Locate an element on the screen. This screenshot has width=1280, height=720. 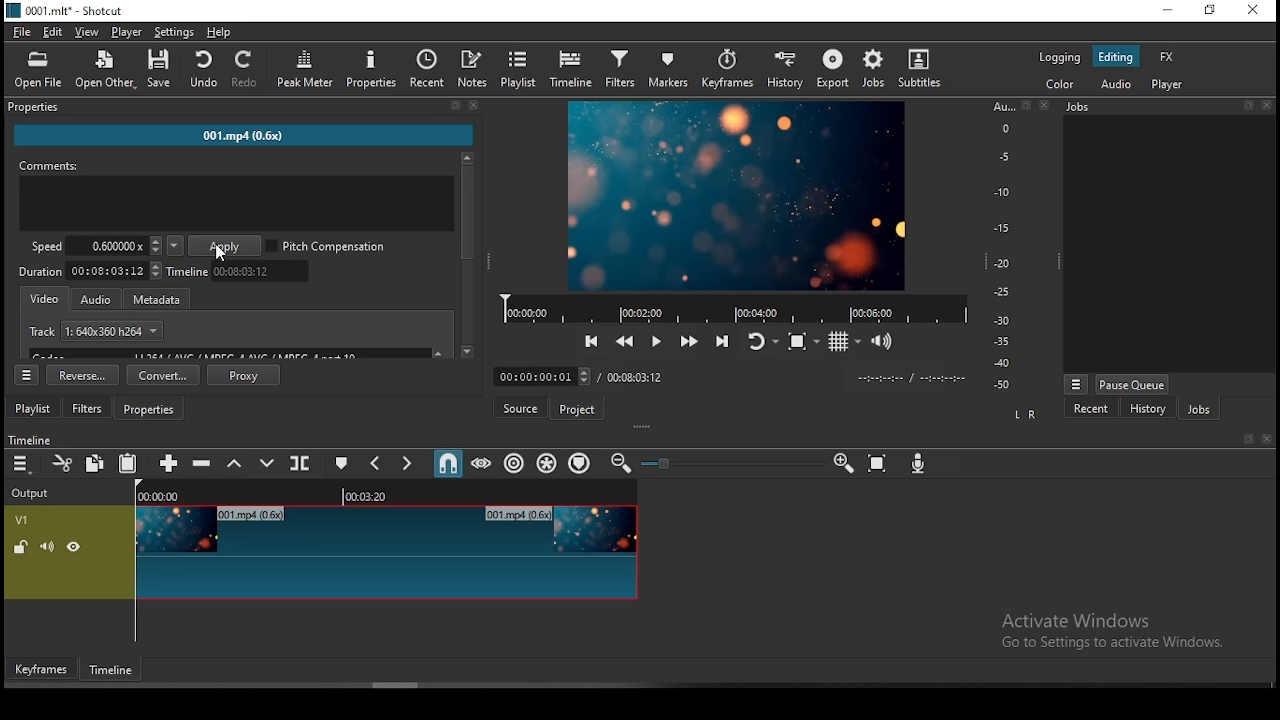
copy is located at coordinates (95, 465).